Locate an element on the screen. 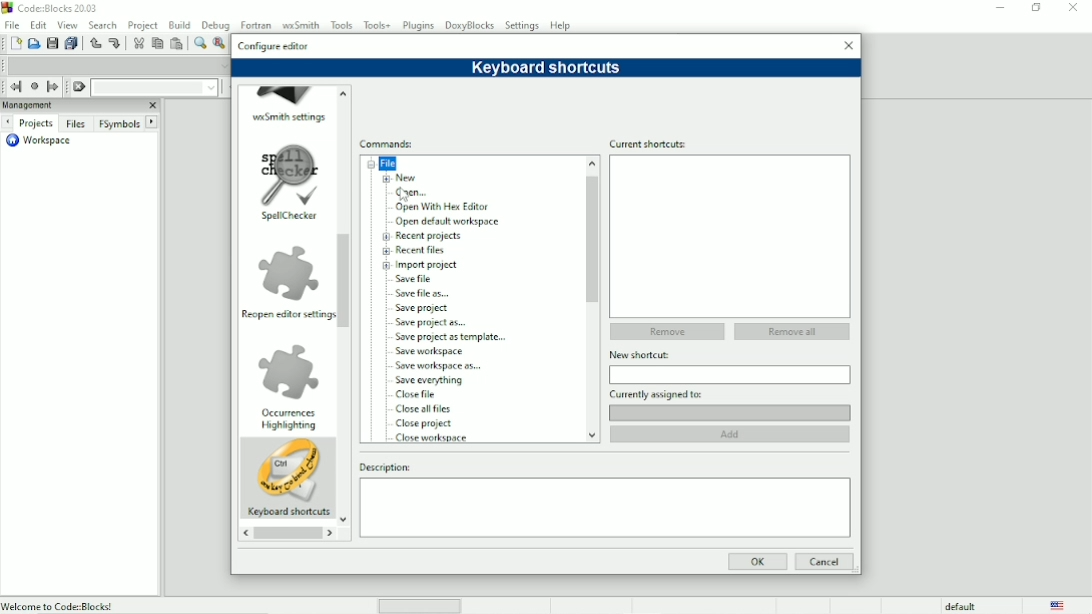  Plugins is located at coordinates (420, 25).